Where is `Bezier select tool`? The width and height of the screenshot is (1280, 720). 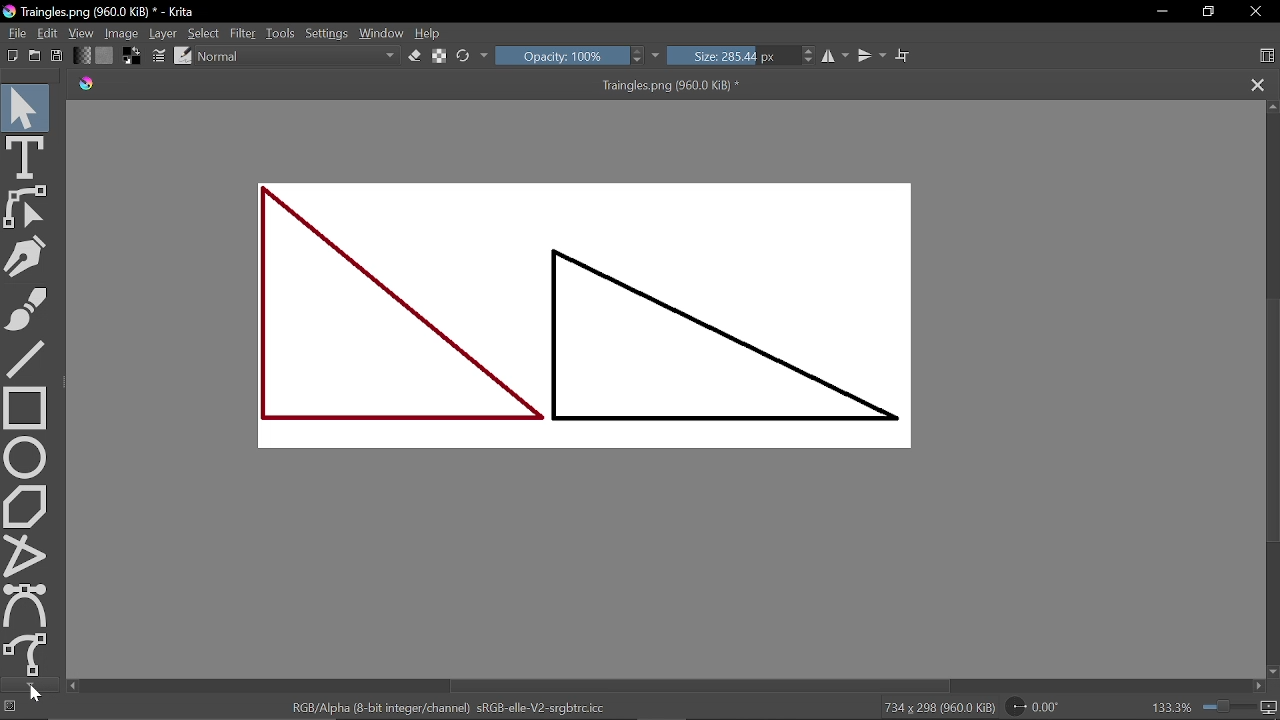 Bezier select tool is located at coordinates (28, 605).